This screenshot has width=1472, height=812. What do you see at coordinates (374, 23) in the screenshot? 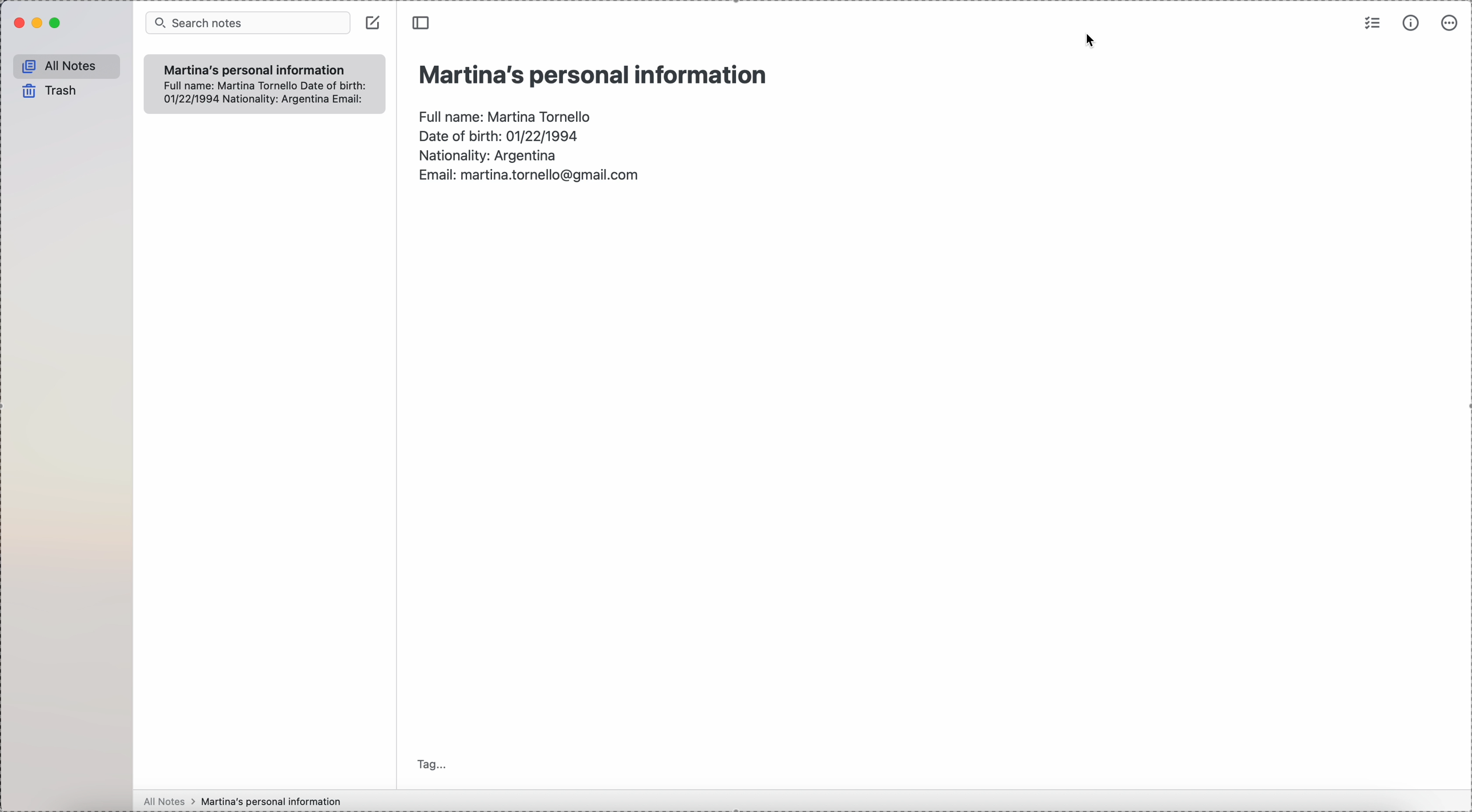
I see `create note` at bounding box center [374, 23].